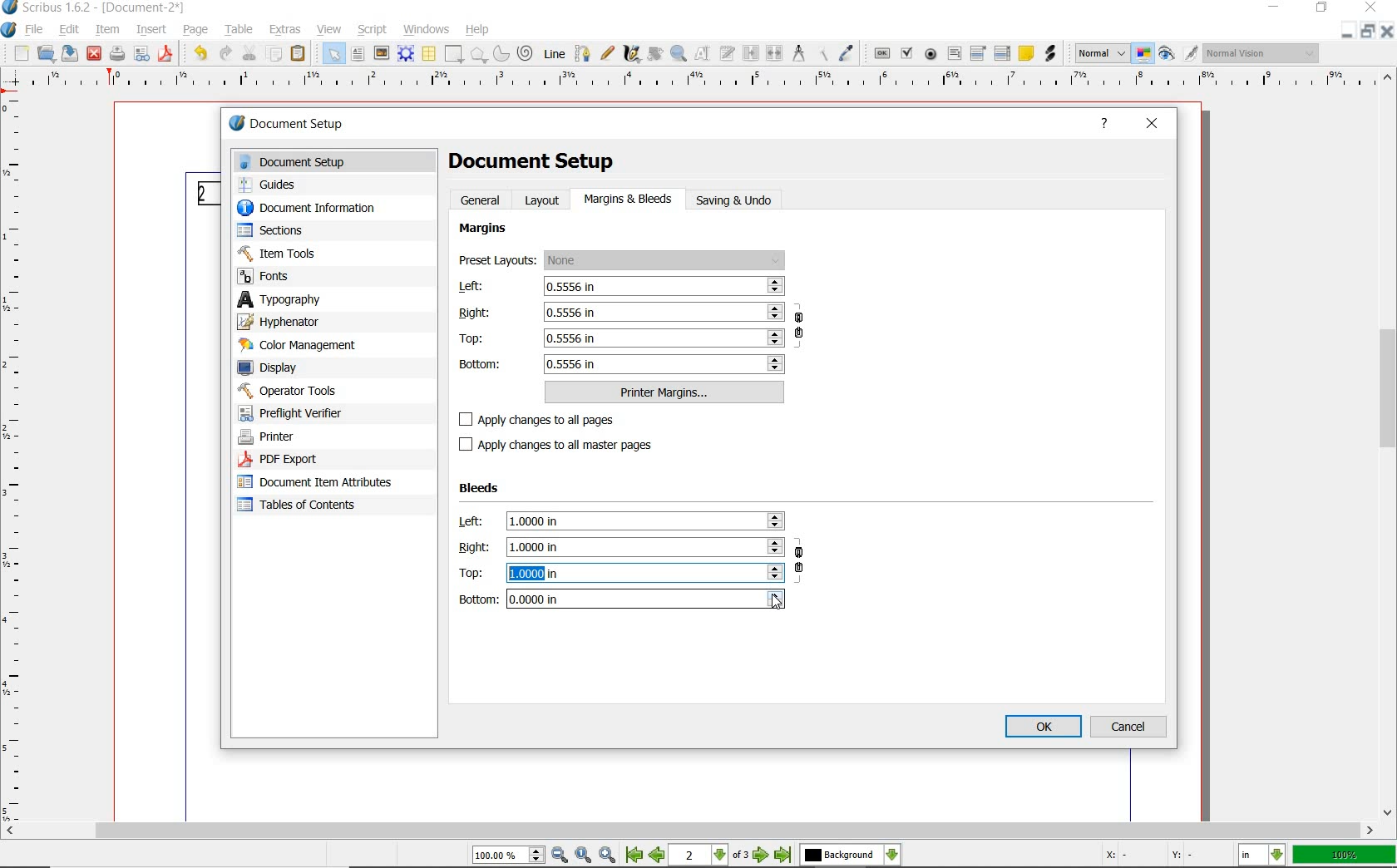 The image size is (1397, 868). What do you see at coordinates (620, 287) in the screenshot?
I see `left` at bounding box center [620, 287].